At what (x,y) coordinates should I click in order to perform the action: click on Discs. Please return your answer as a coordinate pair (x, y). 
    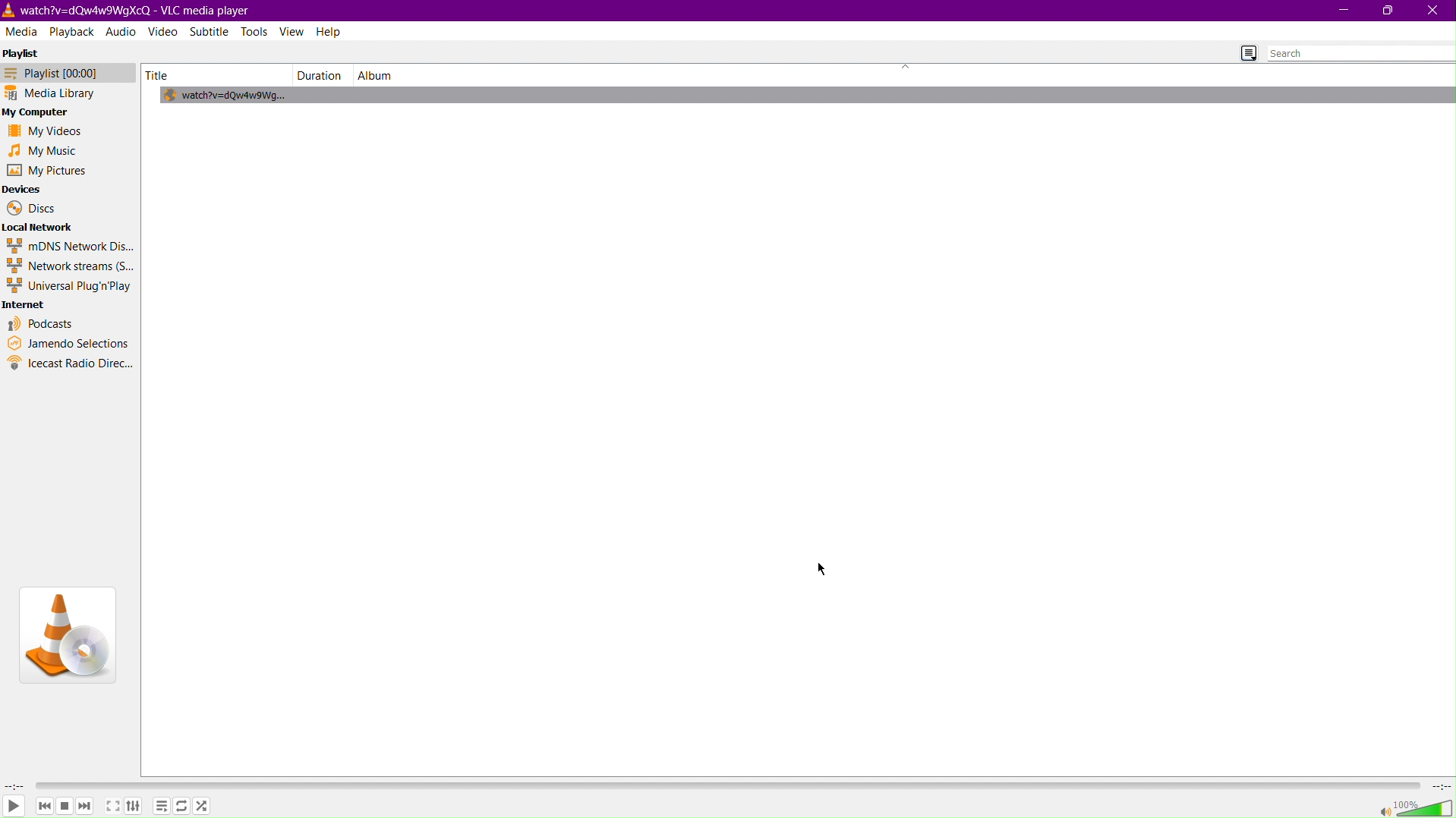
    Looking at the image, I should click on (32, 209).